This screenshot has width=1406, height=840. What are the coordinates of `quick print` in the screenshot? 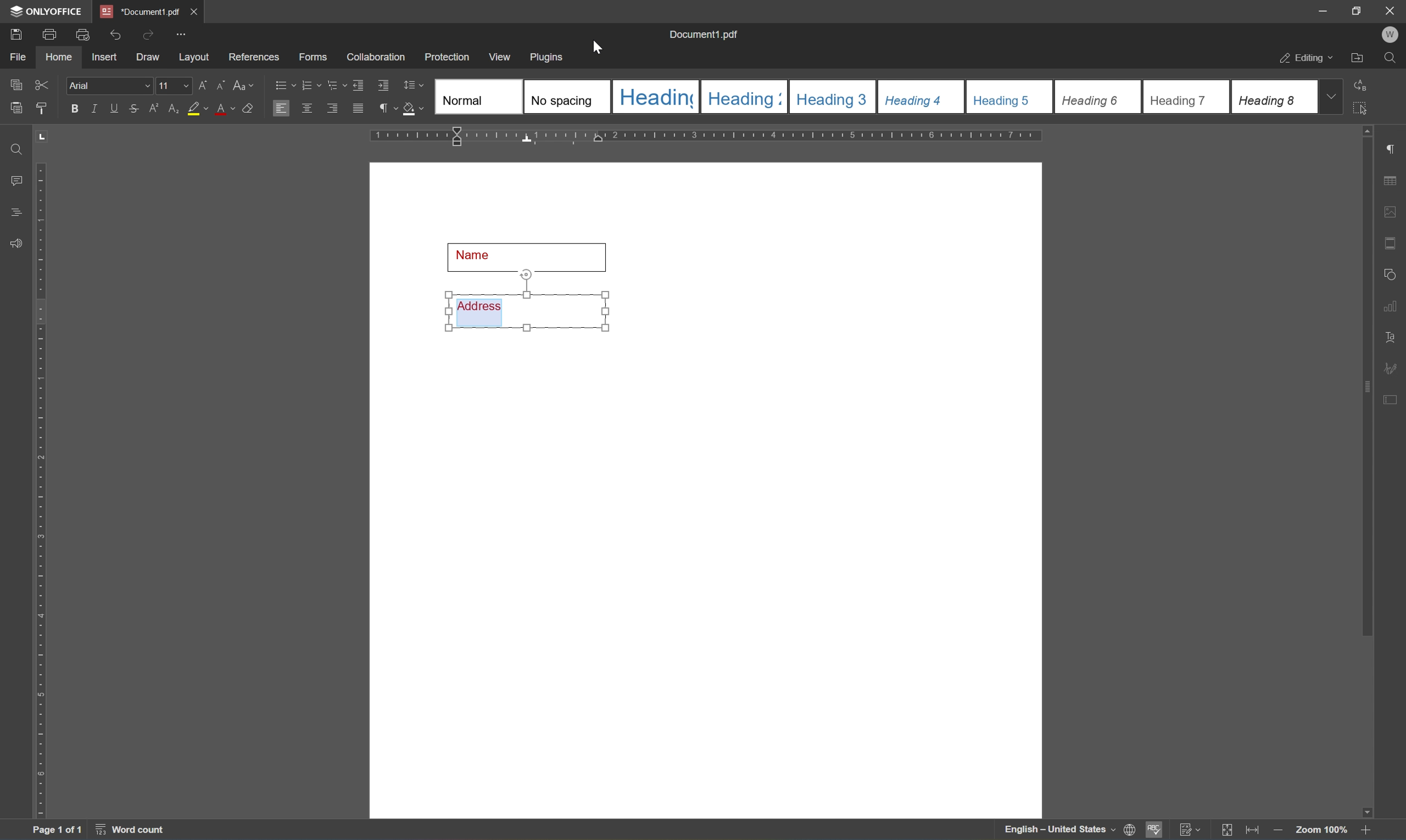 It's located at (80, 33).